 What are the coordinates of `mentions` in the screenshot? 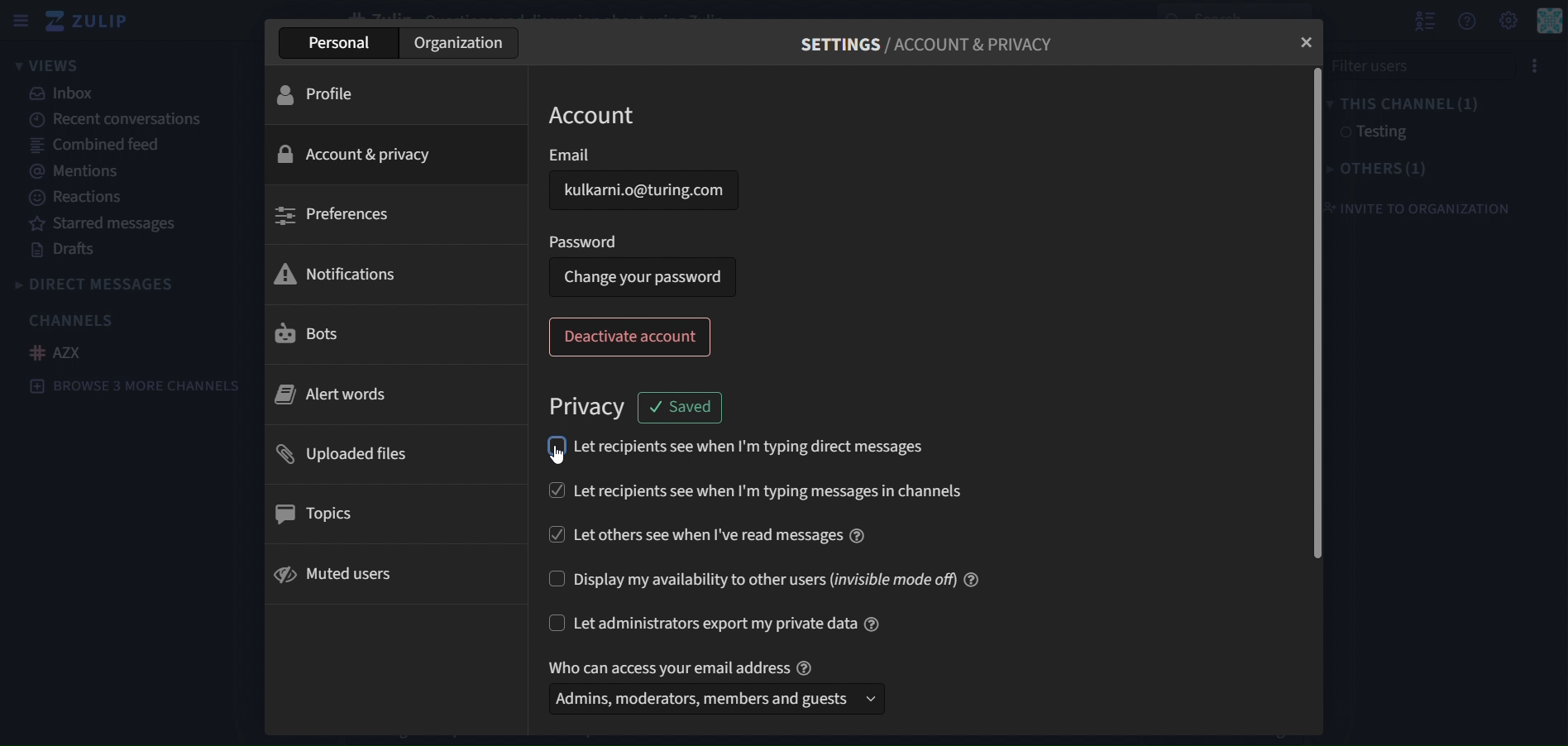 It's located at (78, 171).